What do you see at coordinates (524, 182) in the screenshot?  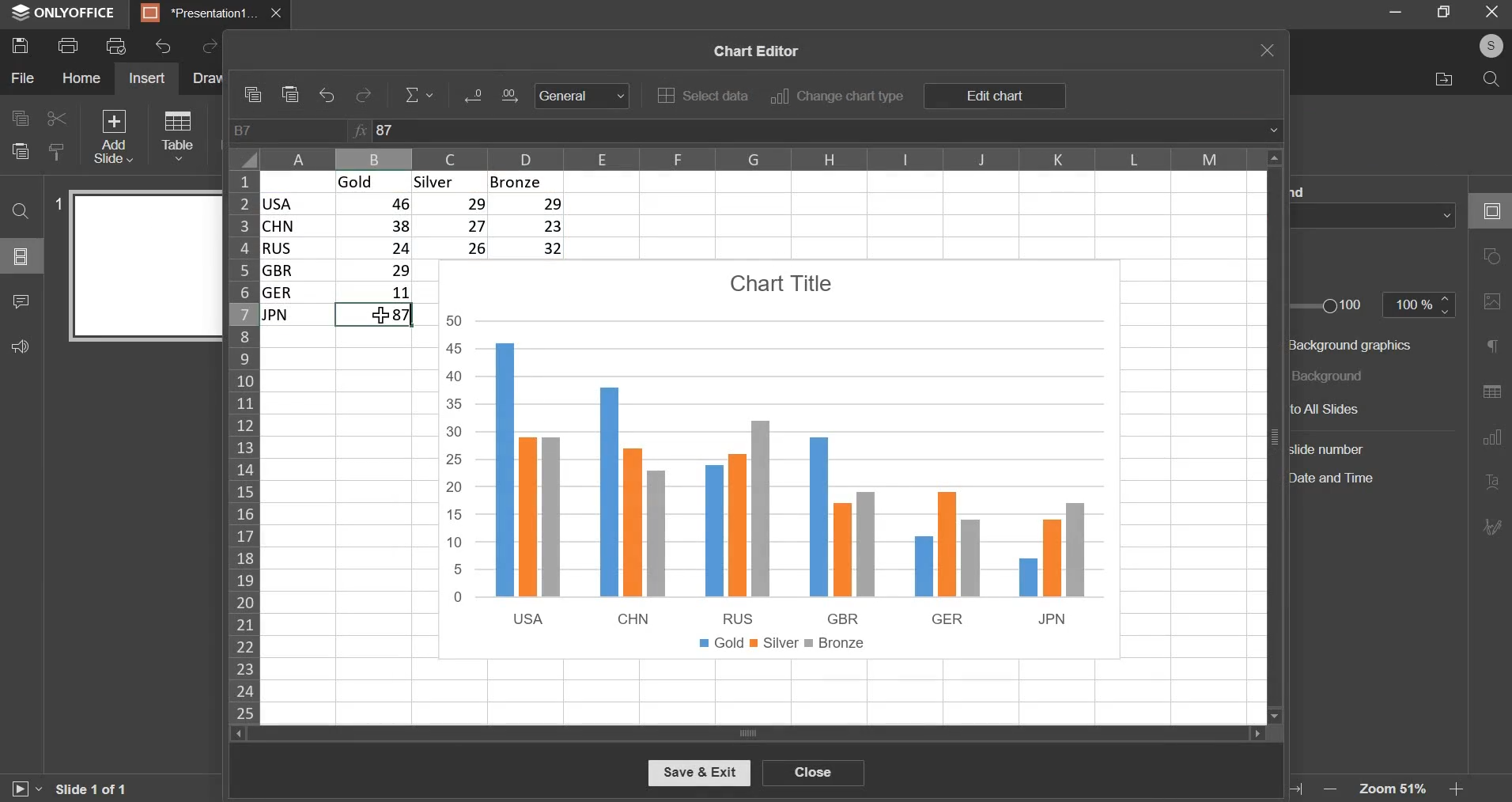 I see `bronze` at bounding box center [524, 182].